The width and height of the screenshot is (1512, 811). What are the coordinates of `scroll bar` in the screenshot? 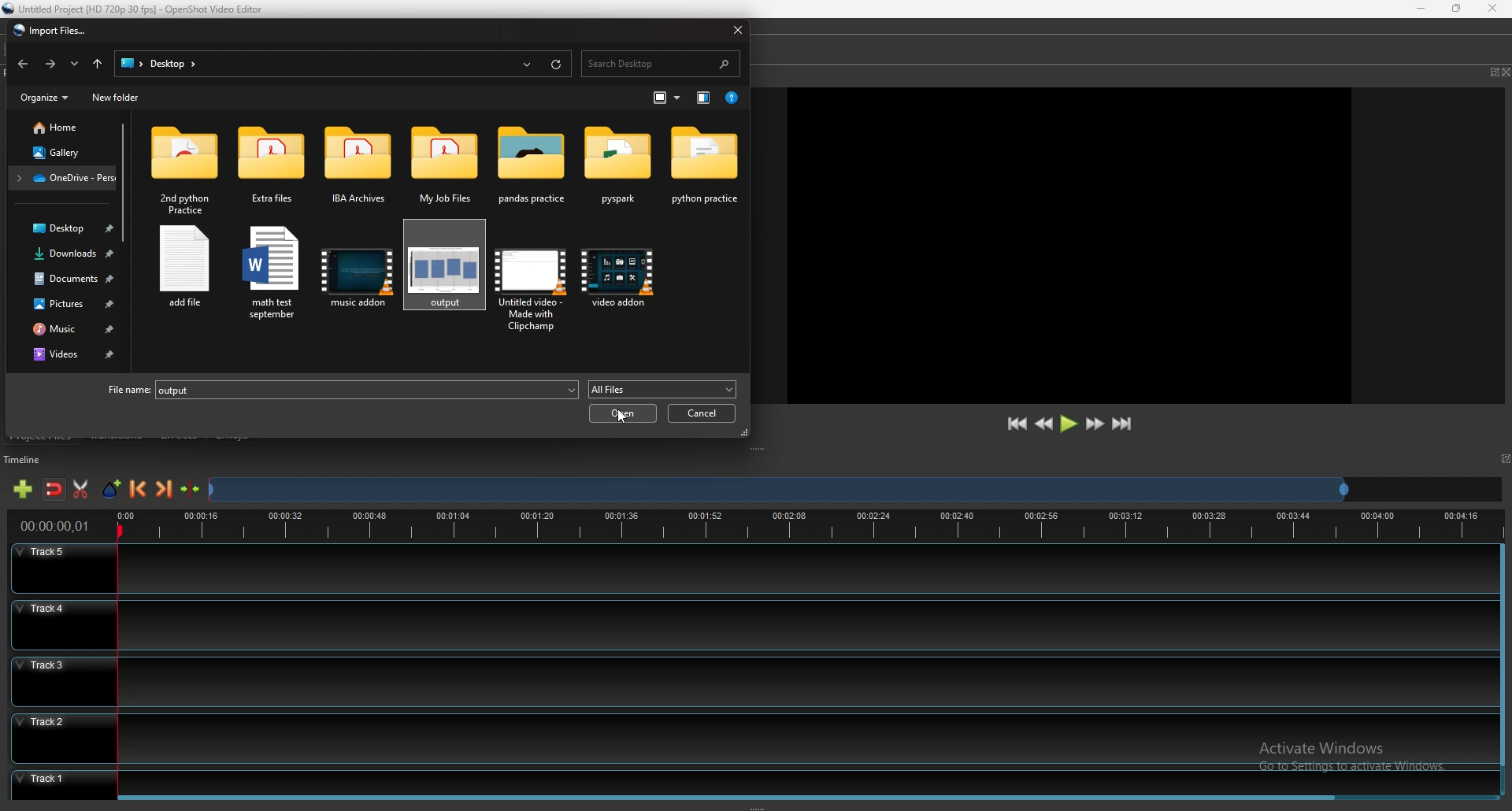 It's located at (733, 801).